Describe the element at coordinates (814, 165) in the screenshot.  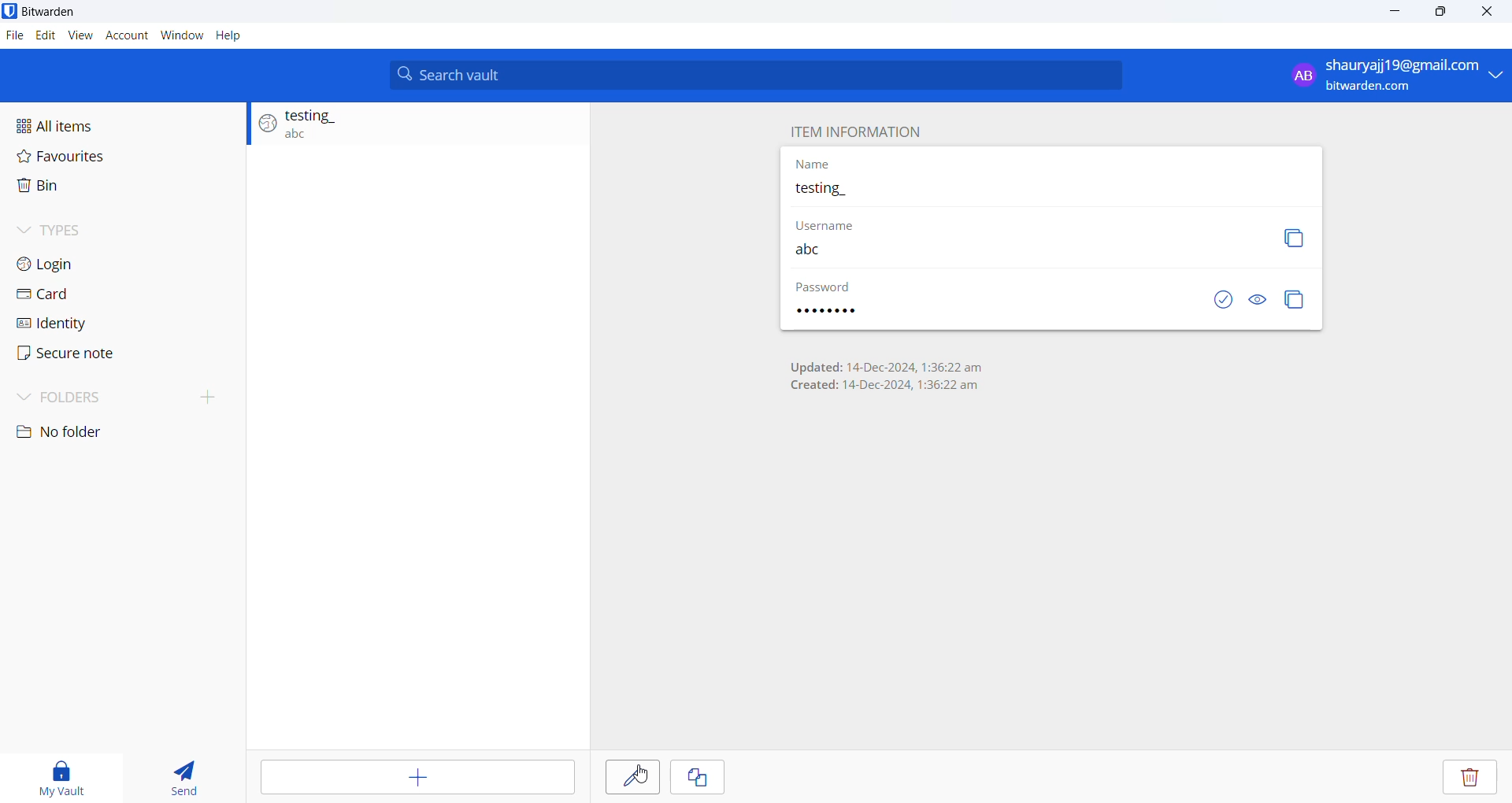
I see `Name heading` at that location.